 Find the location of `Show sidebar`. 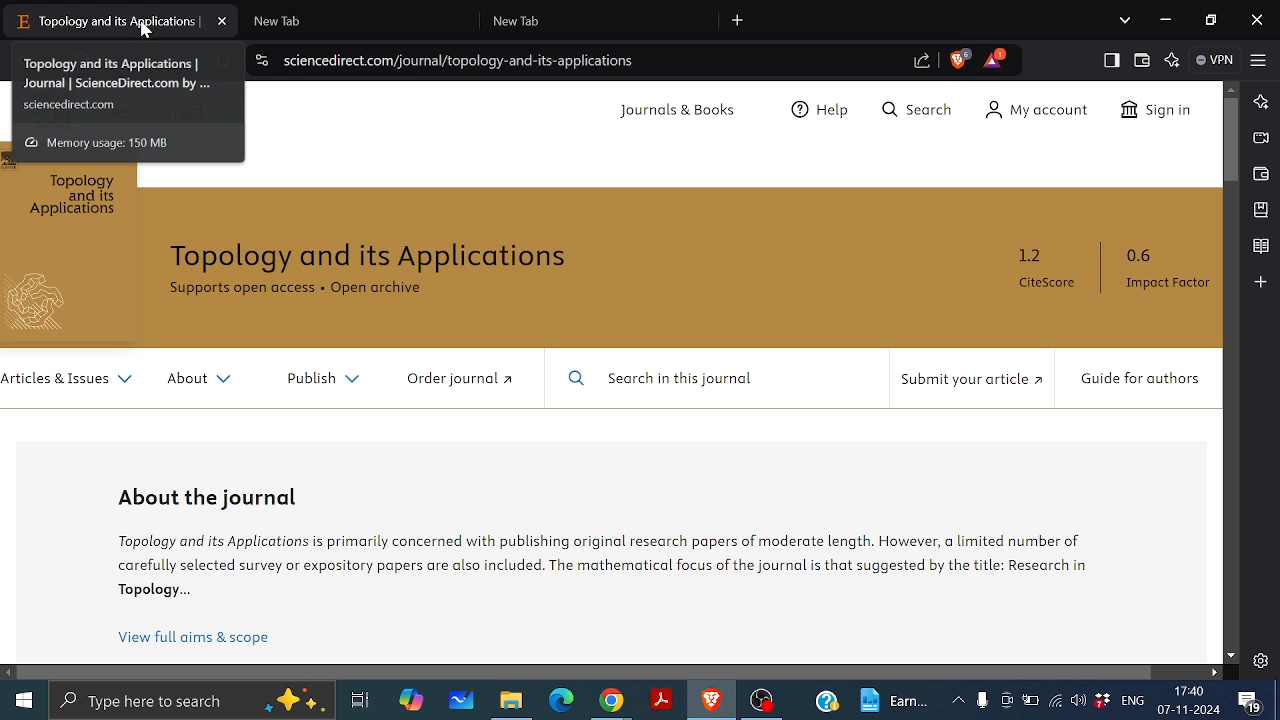

Show sidebar is located at coordinates (1109, 59).